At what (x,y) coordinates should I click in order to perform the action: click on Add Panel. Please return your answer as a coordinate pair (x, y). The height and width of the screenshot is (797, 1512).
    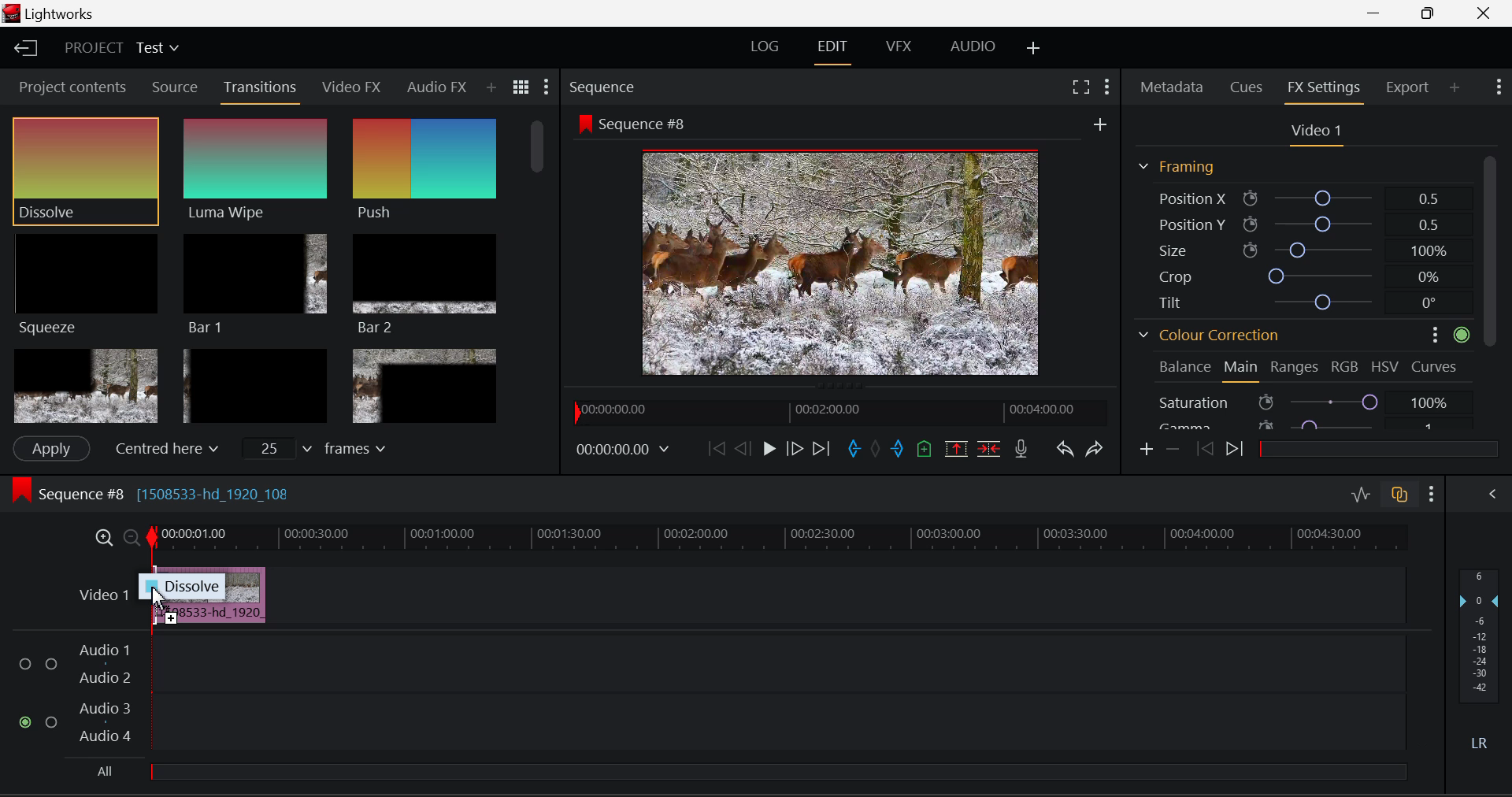
    Looking at the image, I should click on (472, 87).